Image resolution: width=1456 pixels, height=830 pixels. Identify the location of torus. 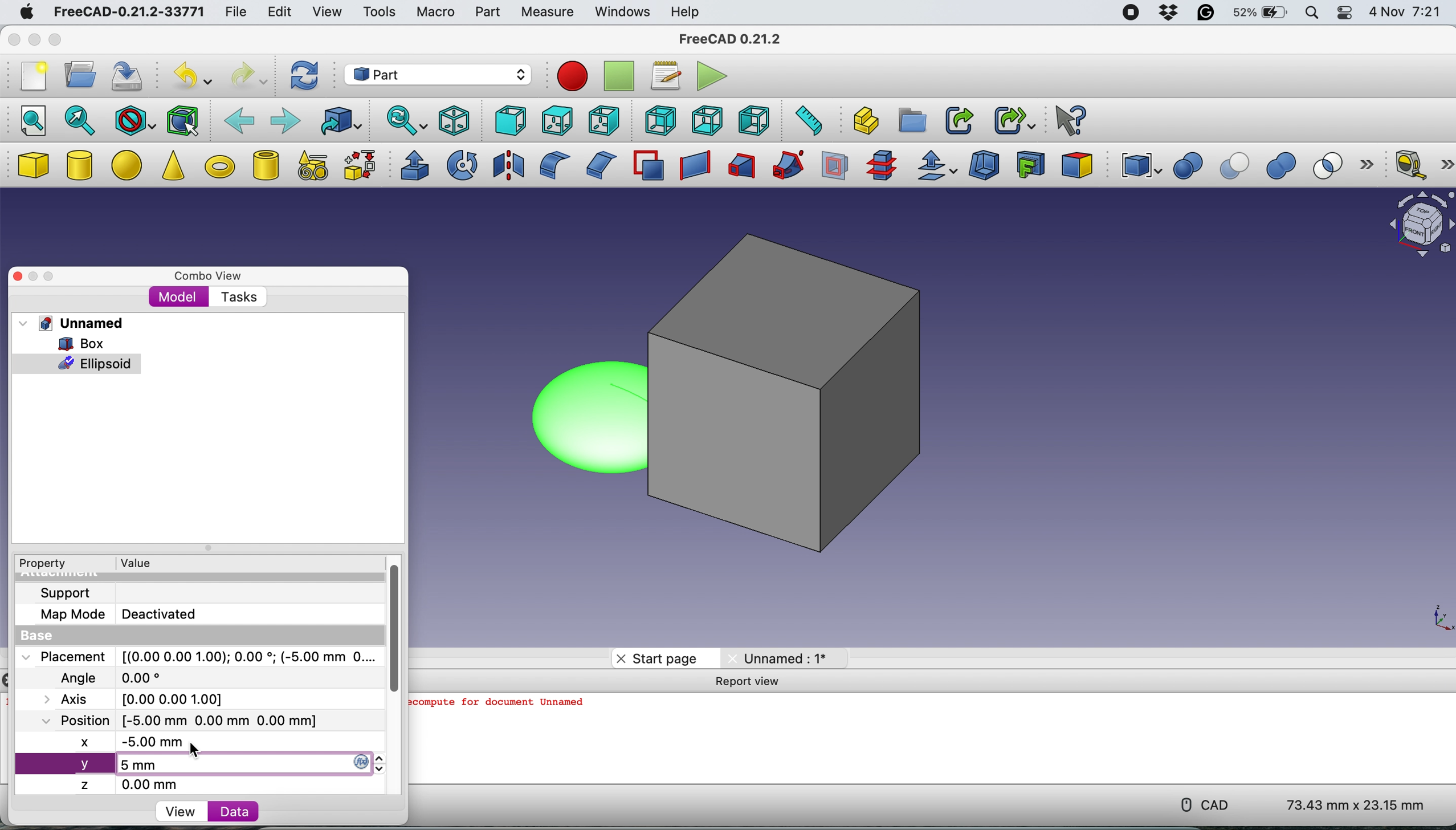
(219, 166).